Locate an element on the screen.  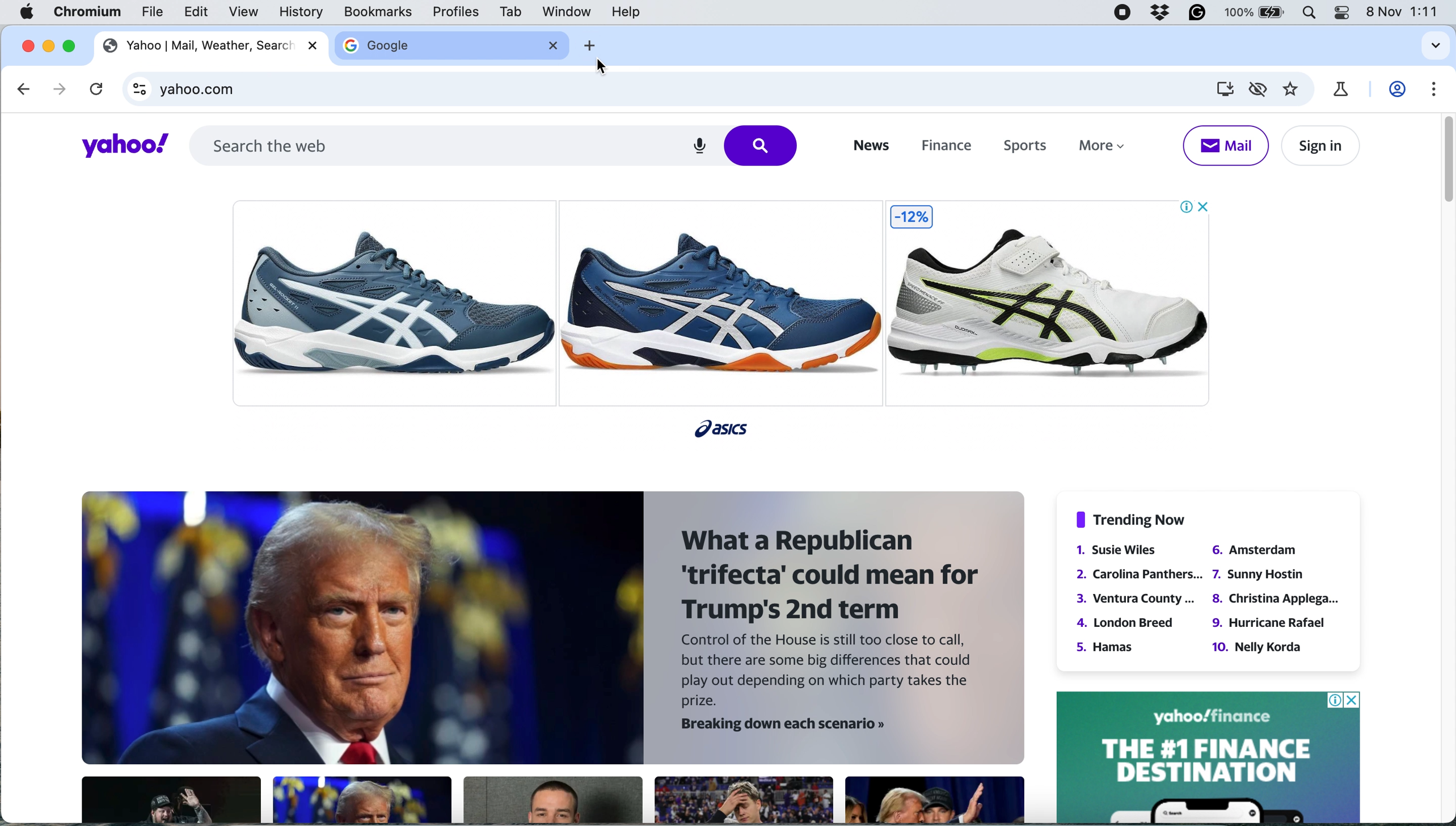
BB. a
| - >» 5 ZIPALA :
= 3 . What a Republican
= 5» » Ygpat 1
» a trifecta’ could mean for
| 4 ’ ¥
g » baa Trump's 2nd term
» rg AF Control of the House is still too close to call,
} te but there are some big differences that could
. A —y play out depending on which party takes the
“ k prize.
Hy. - Breaking down each scenario » is located at coordinates (545, 656).